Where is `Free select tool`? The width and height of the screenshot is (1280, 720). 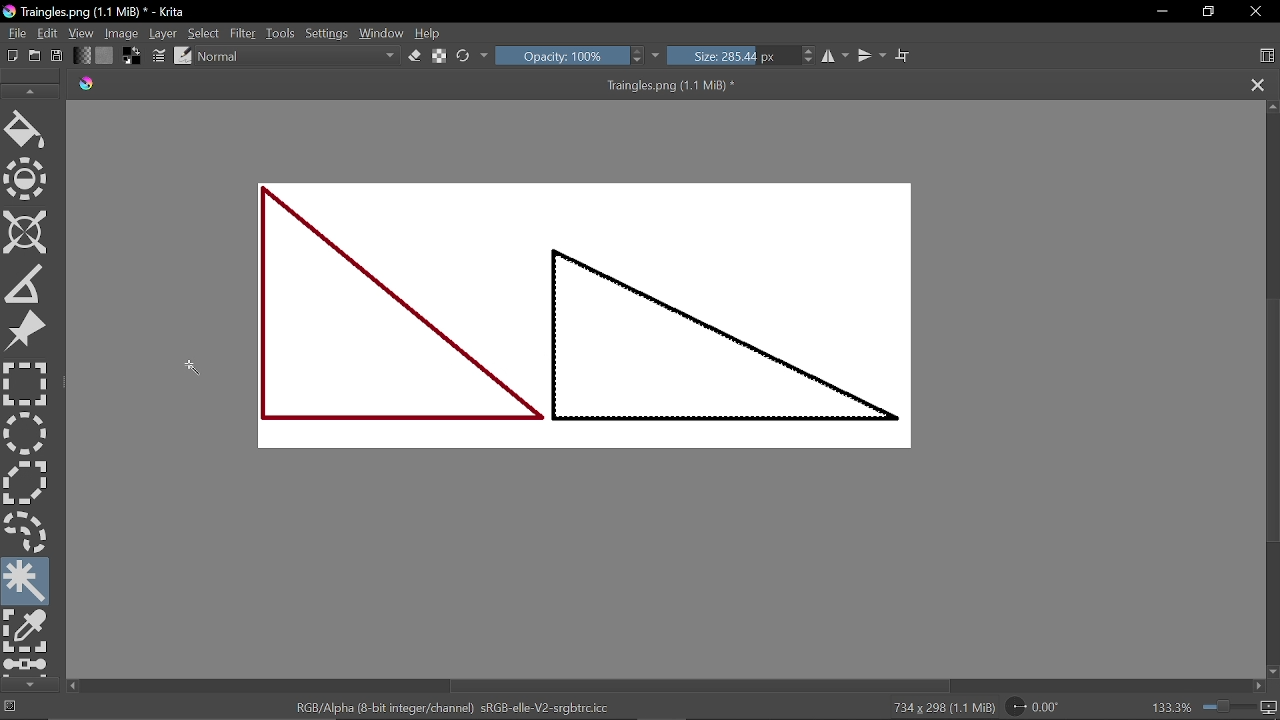
Free select tool is located at coordinates (27, 529).